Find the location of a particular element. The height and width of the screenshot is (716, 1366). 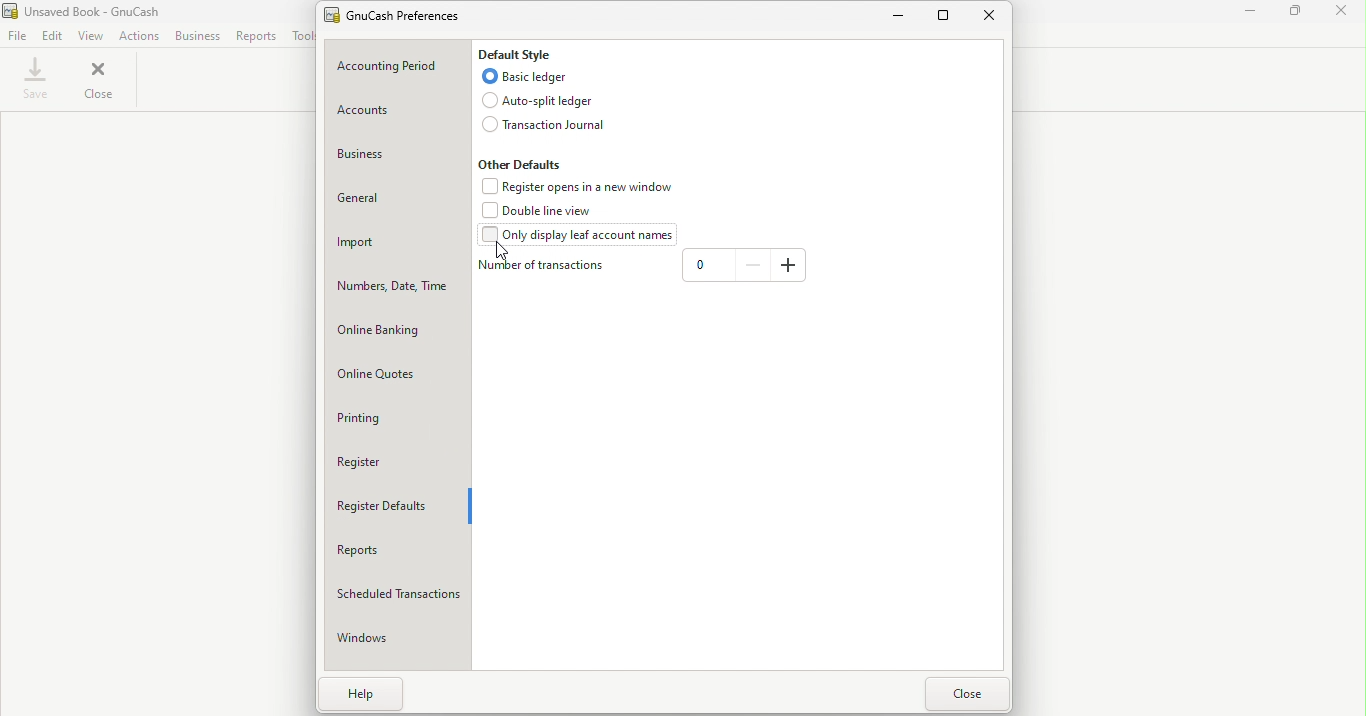

Minimize is located at coordinates (894, 18).